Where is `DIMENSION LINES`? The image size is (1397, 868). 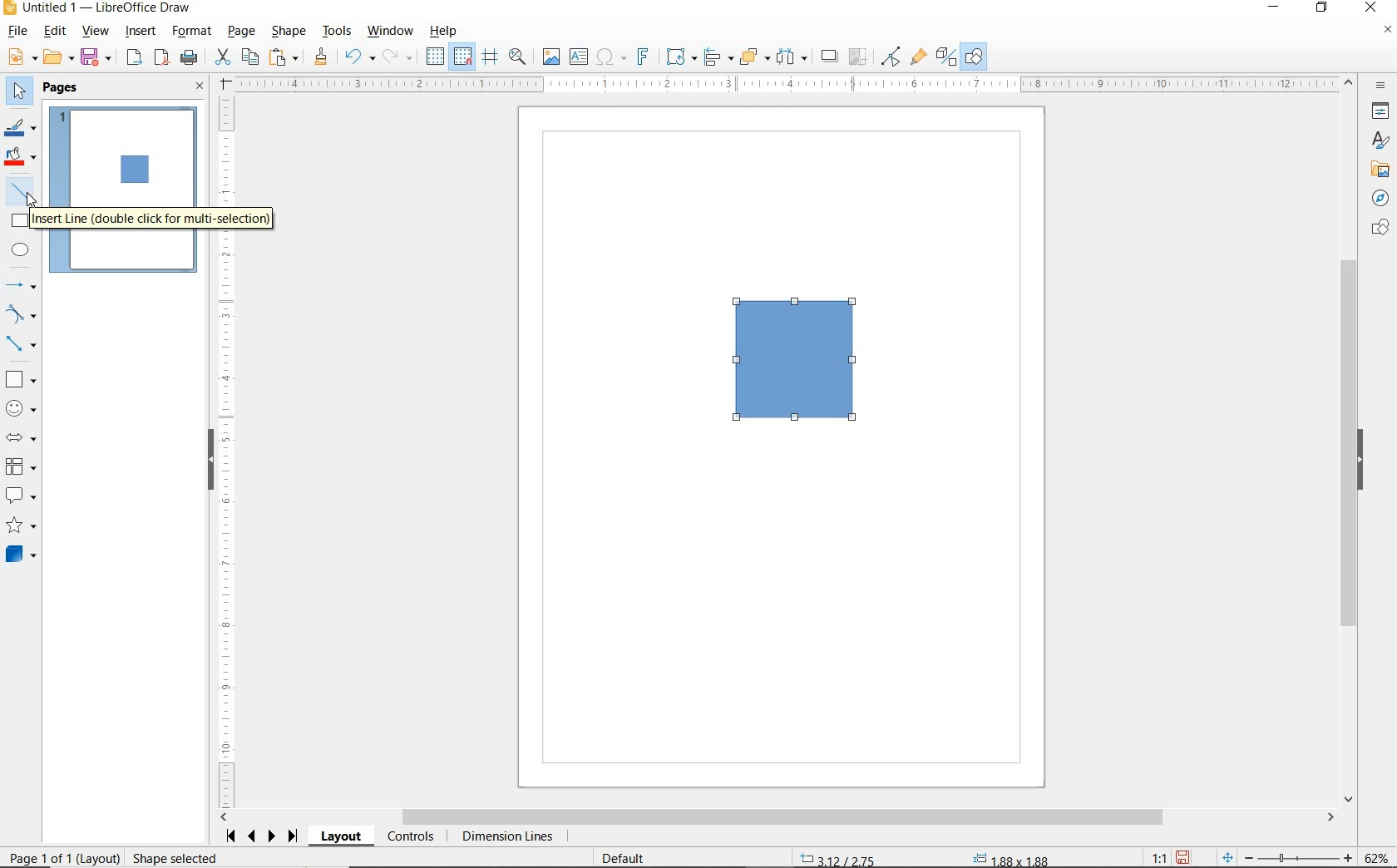 DIMENSION LINES is located at coordinates (506, 837).